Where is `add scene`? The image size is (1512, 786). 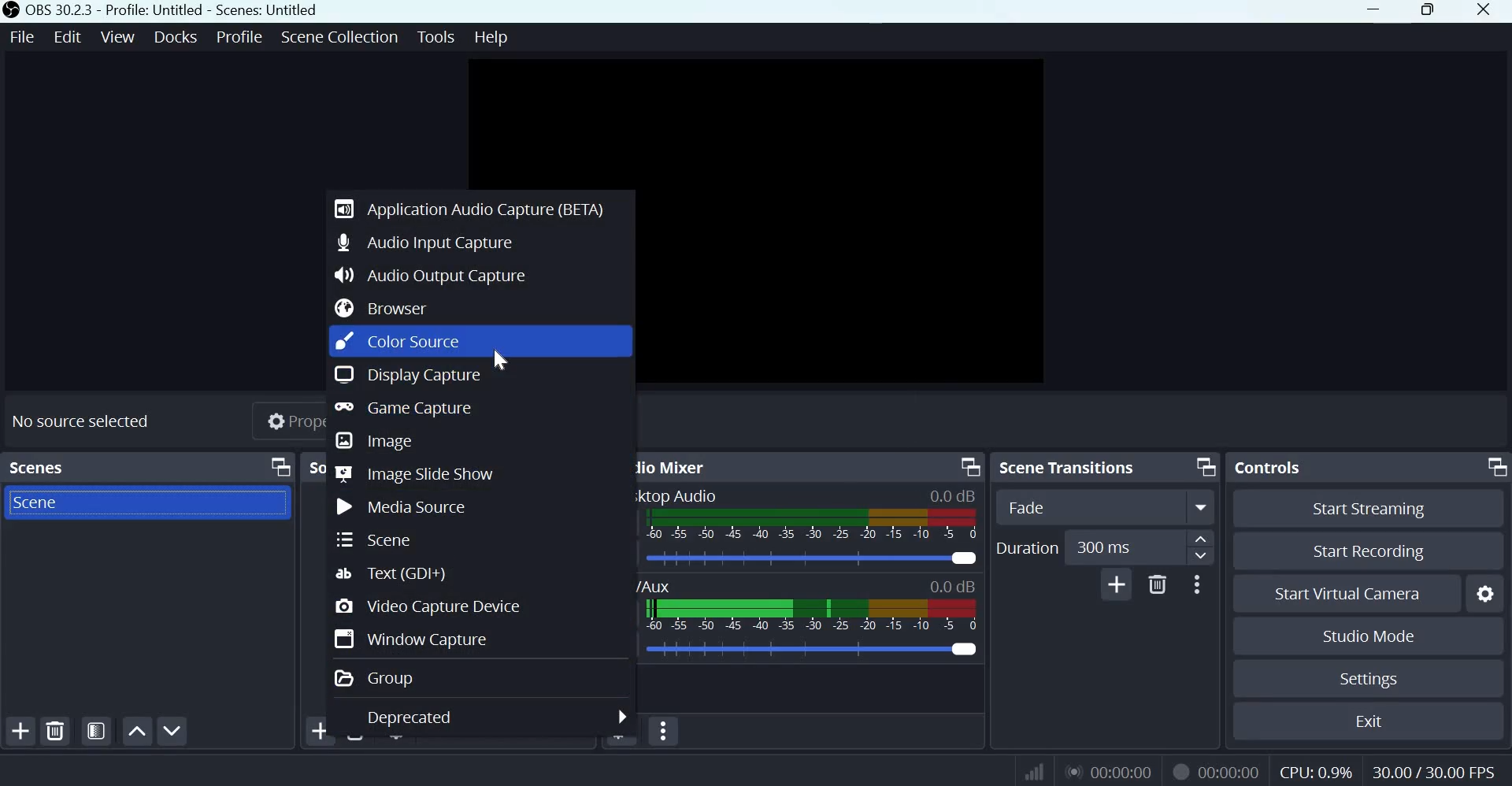
add scene is located at coordinates (20, 731).